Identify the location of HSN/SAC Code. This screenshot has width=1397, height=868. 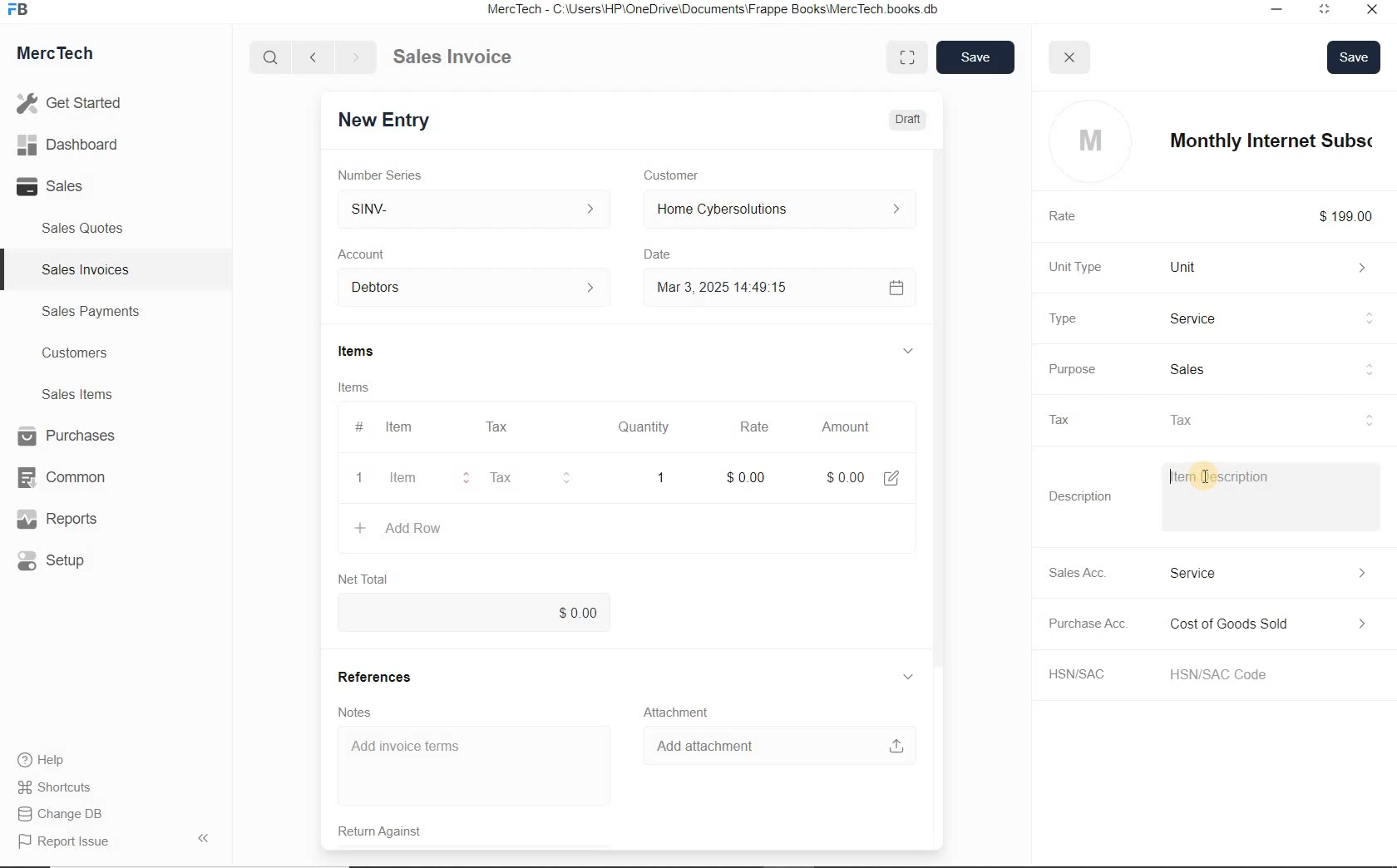
(1226, 673).